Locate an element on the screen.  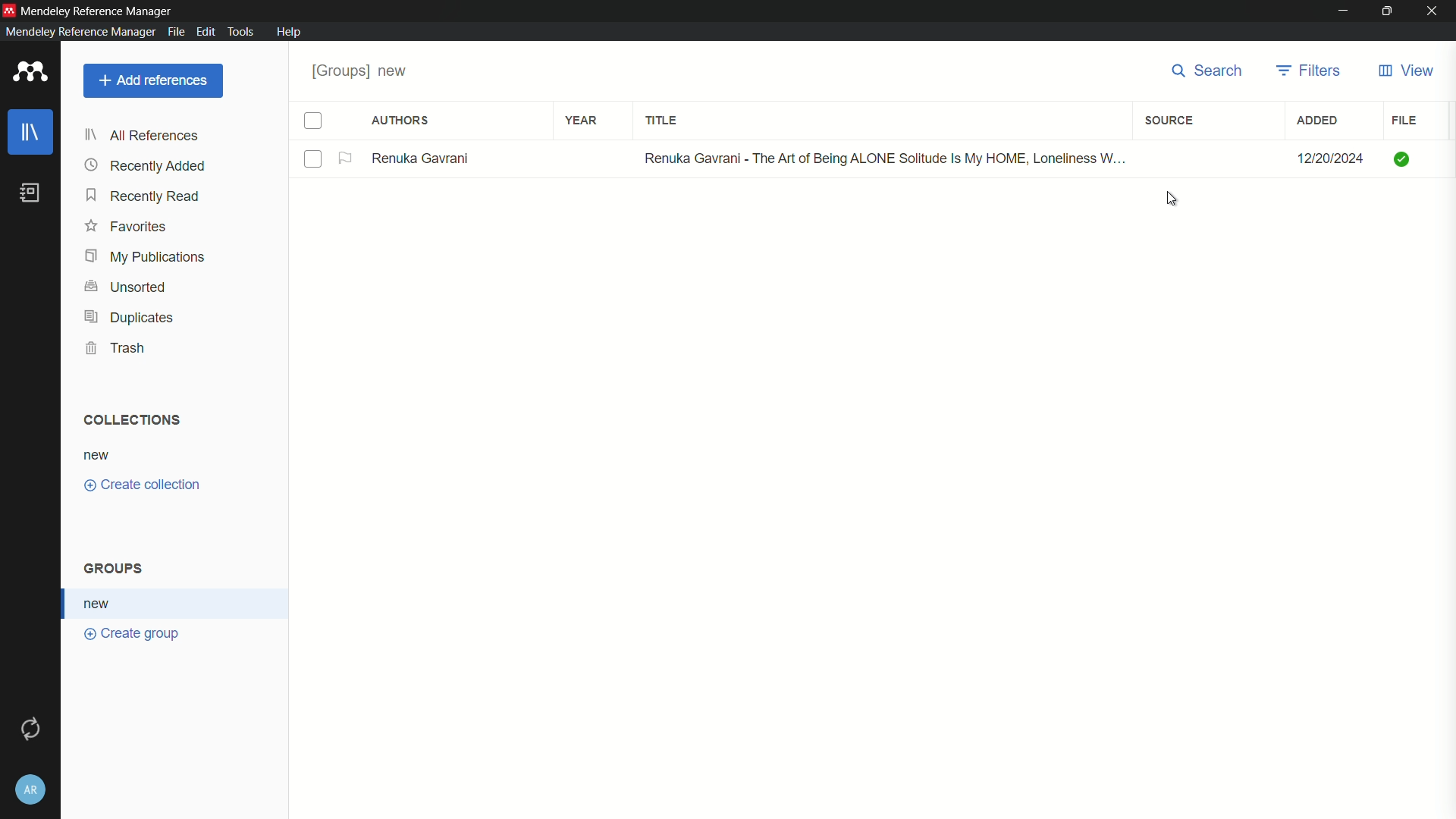
source is located at coordinates (1170, 121).